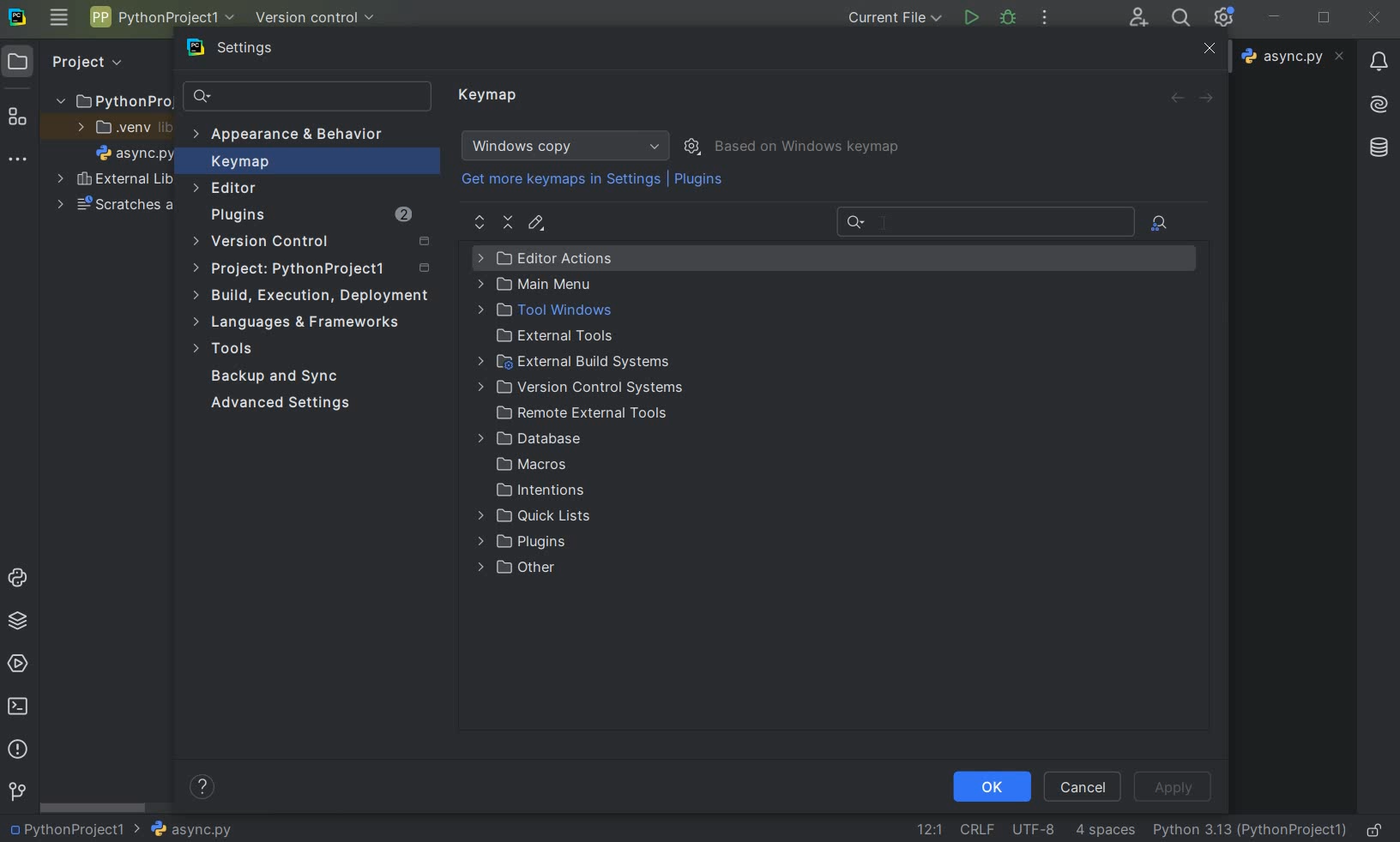  Describe the element at coordinates (1374, 18) in the screenshot. I see `close` at that location.